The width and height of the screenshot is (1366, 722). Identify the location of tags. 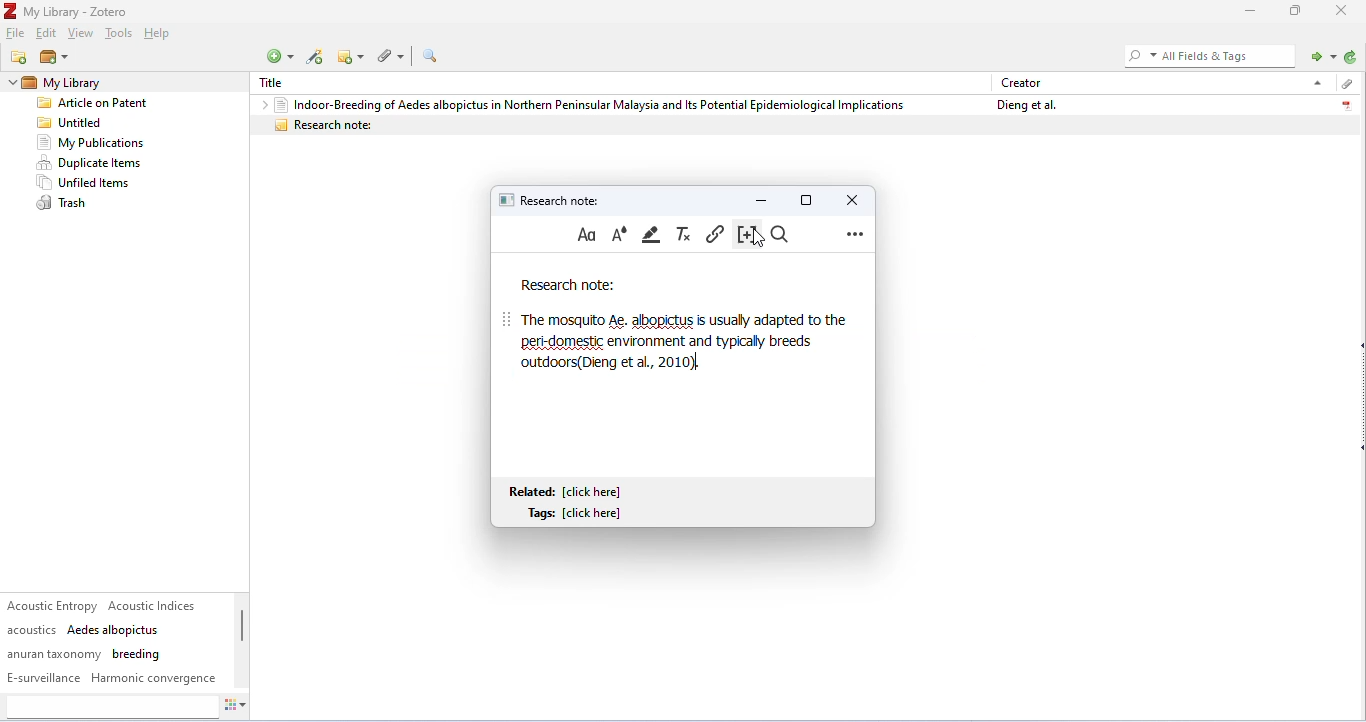
(579, 514).